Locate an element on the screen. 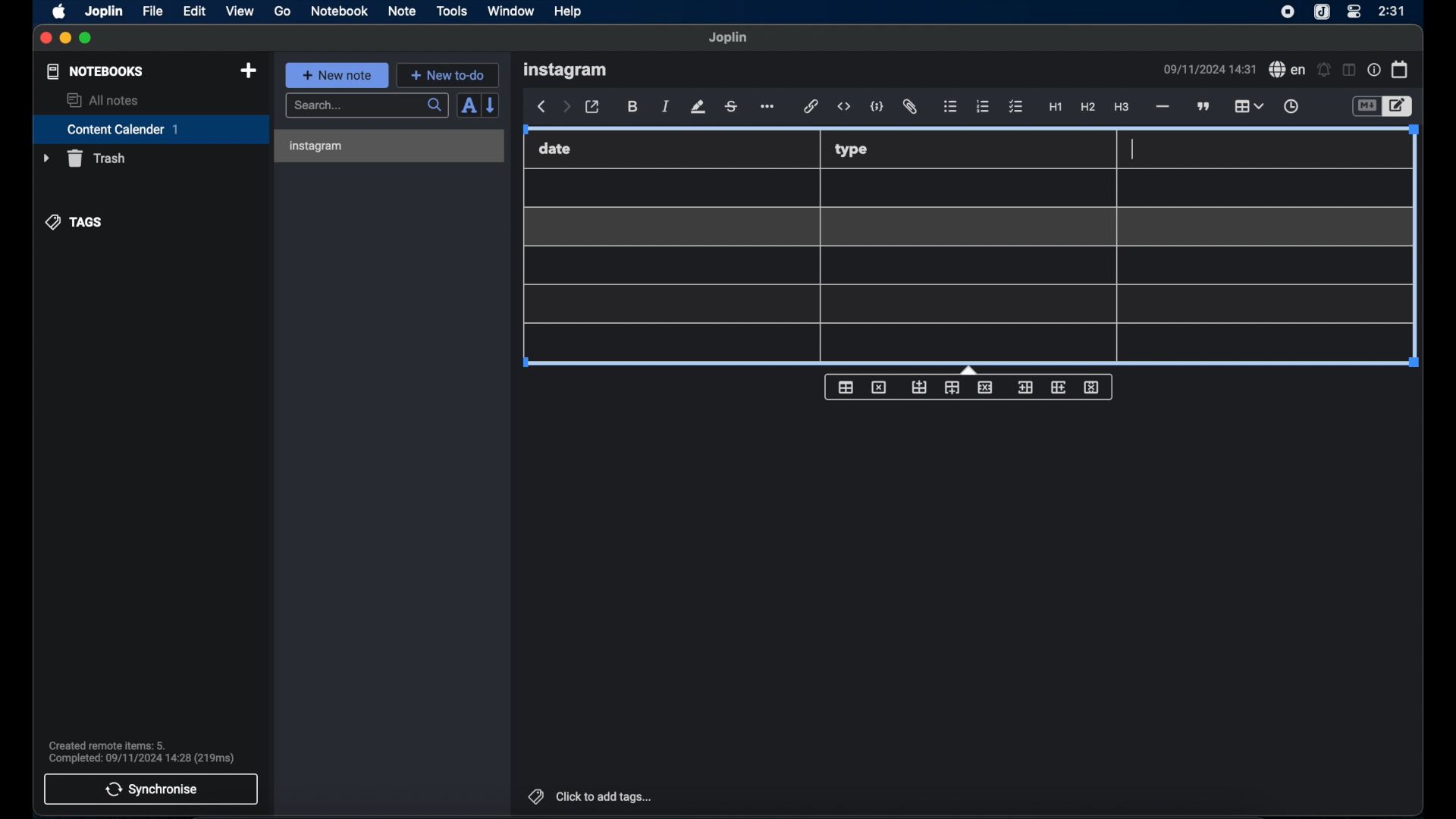  forward is located at coordinates (566, 108).